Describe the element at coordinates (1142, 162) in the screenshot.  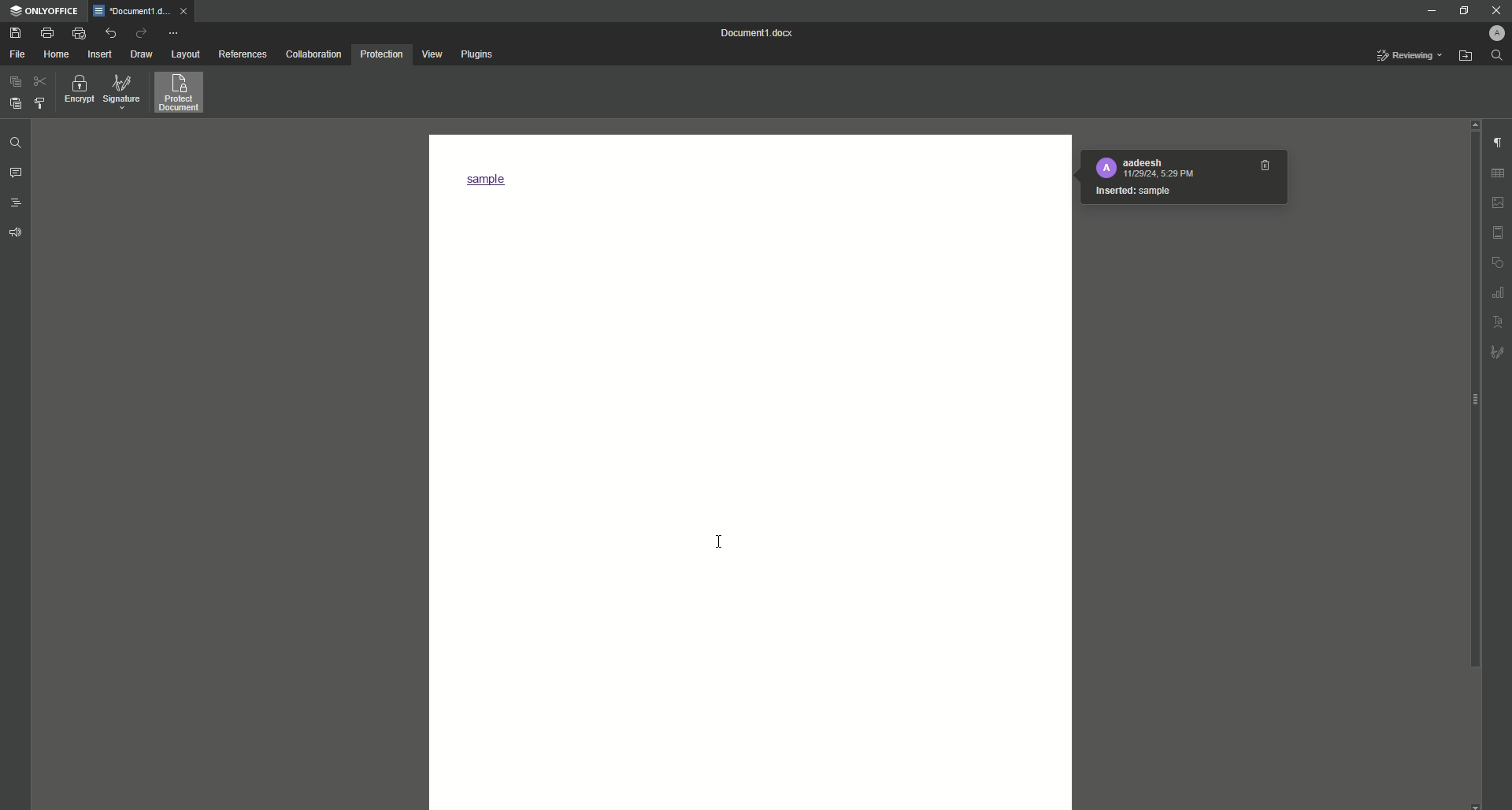
I see `aadeesh` at that location.